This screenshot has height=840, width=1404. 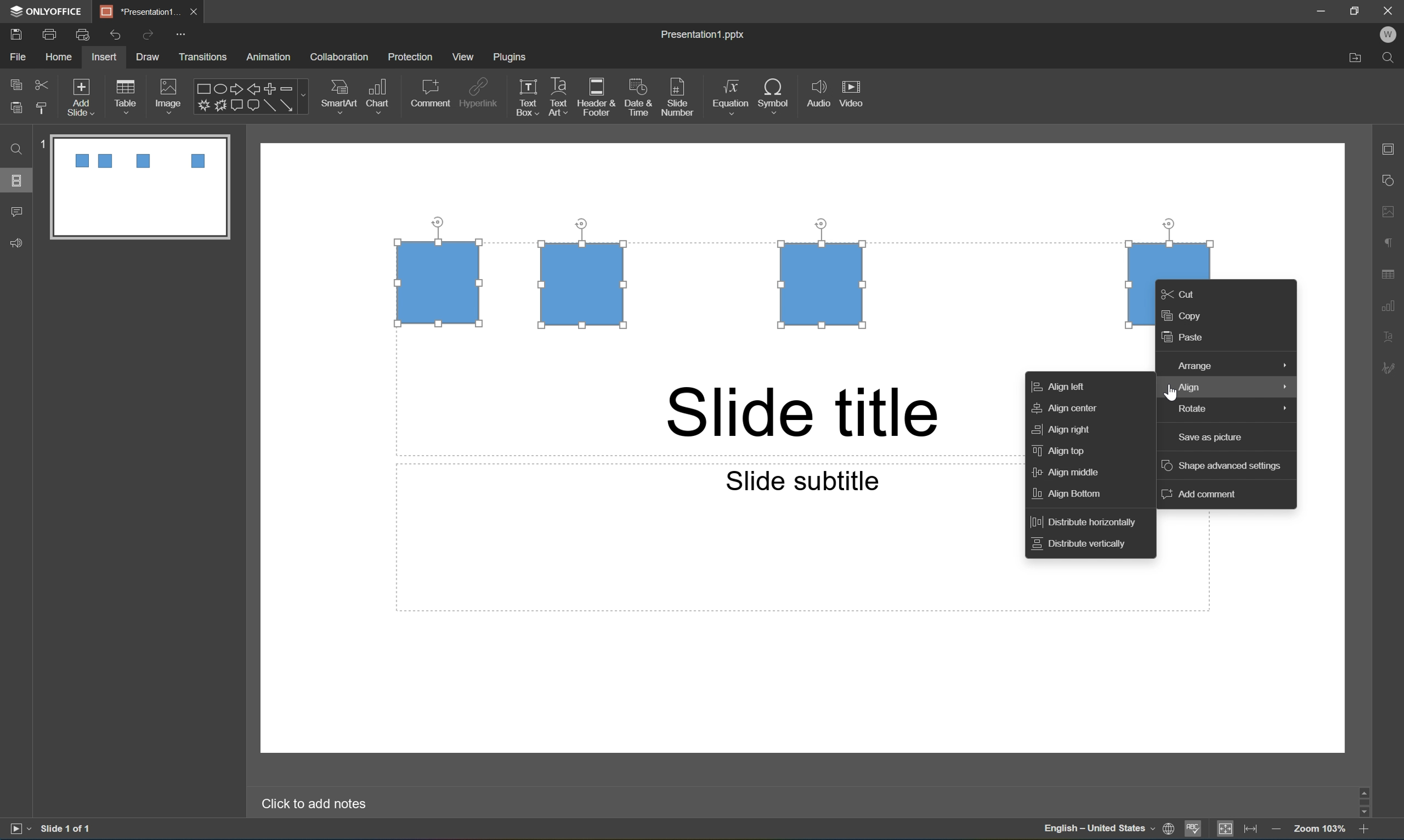 What do you see at coordinates (1066, 386) in the screenshot?
I see `align left` at bounding box center [1066, 386].